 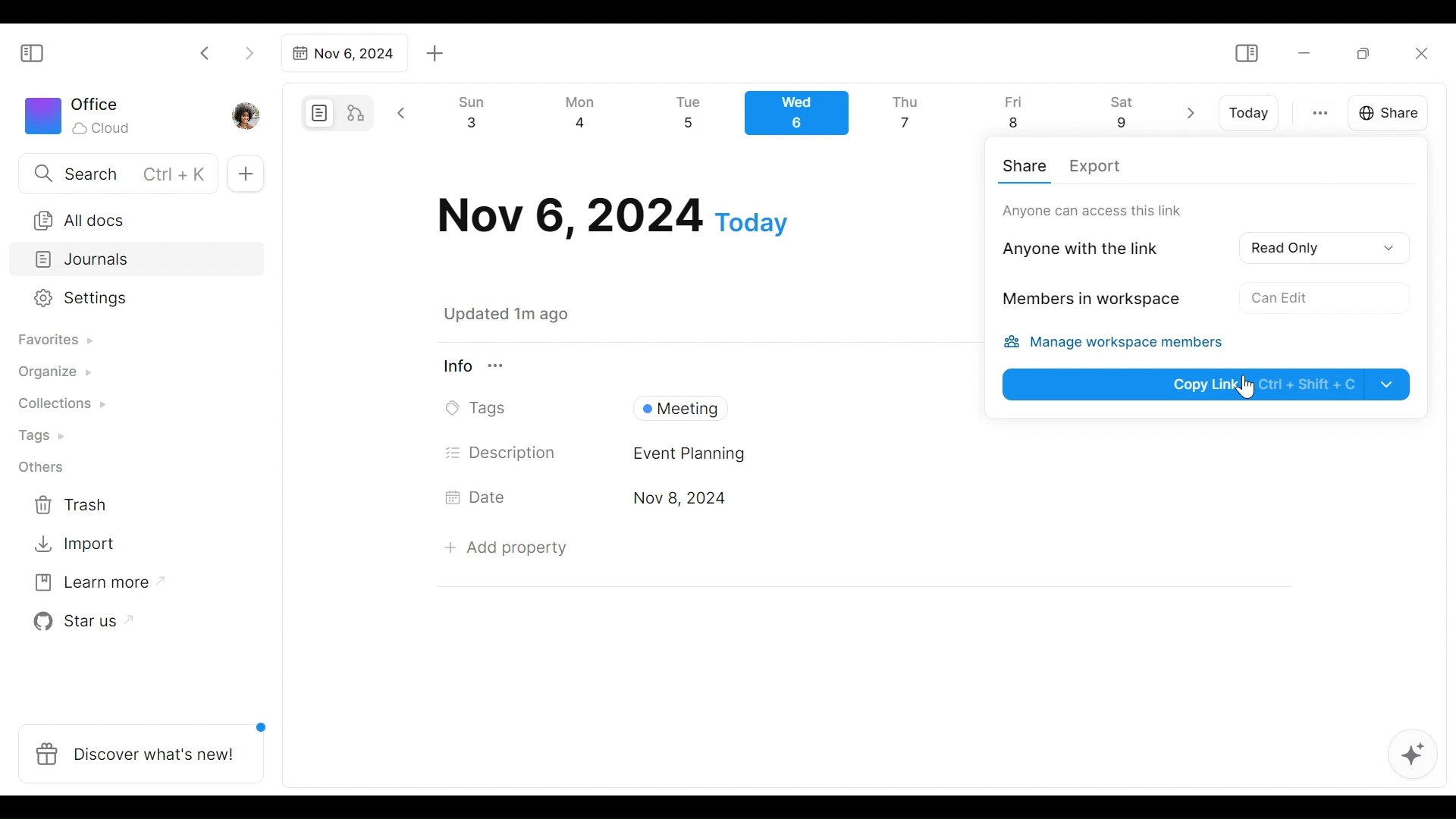 I want to click on No Acces, so click(x=1304, y=295).